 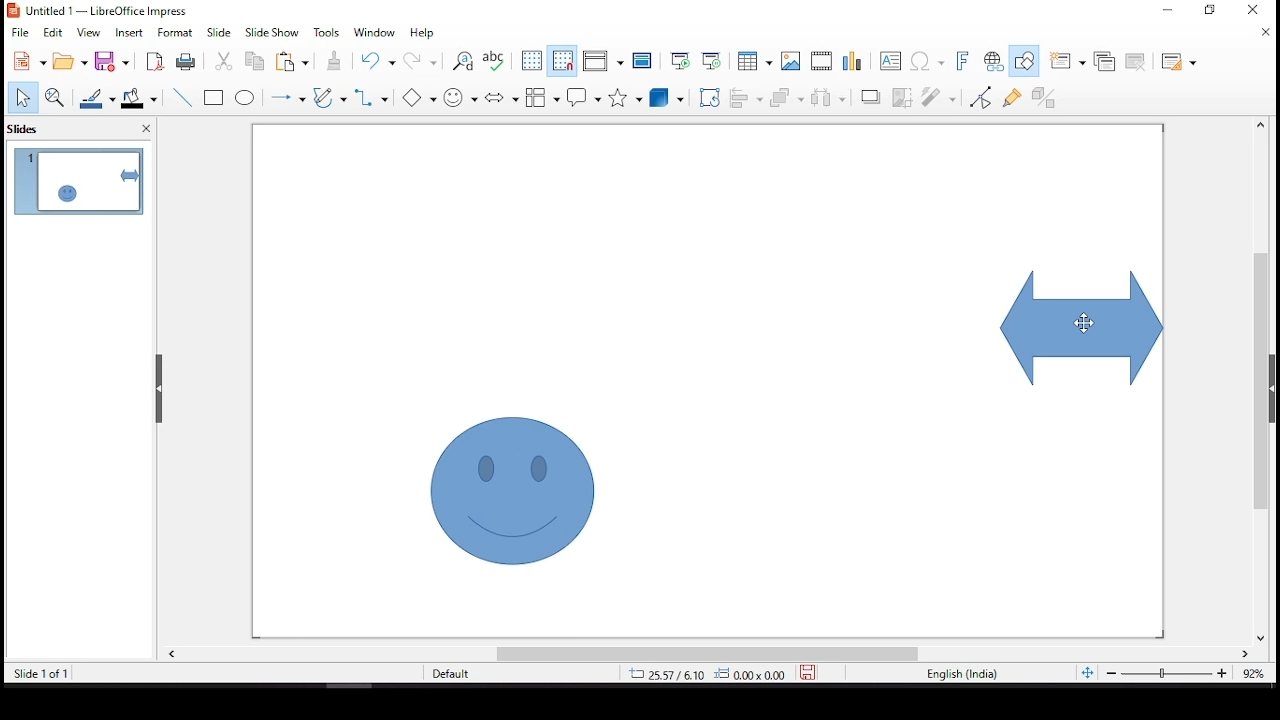 I want to click on close, so click(x=1268, y=34).